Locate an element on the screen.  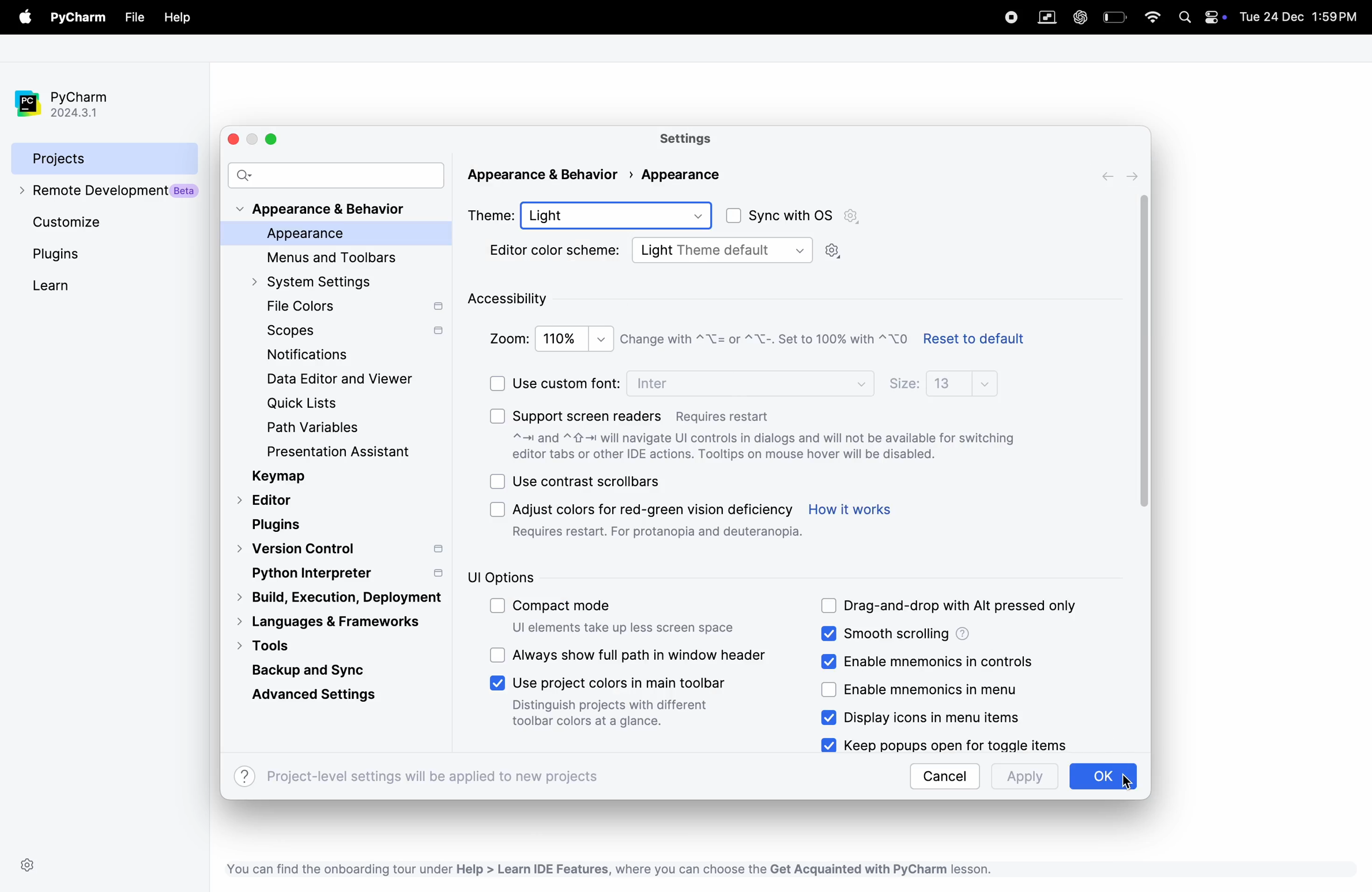
py charm is located at coordinates (78, 16).